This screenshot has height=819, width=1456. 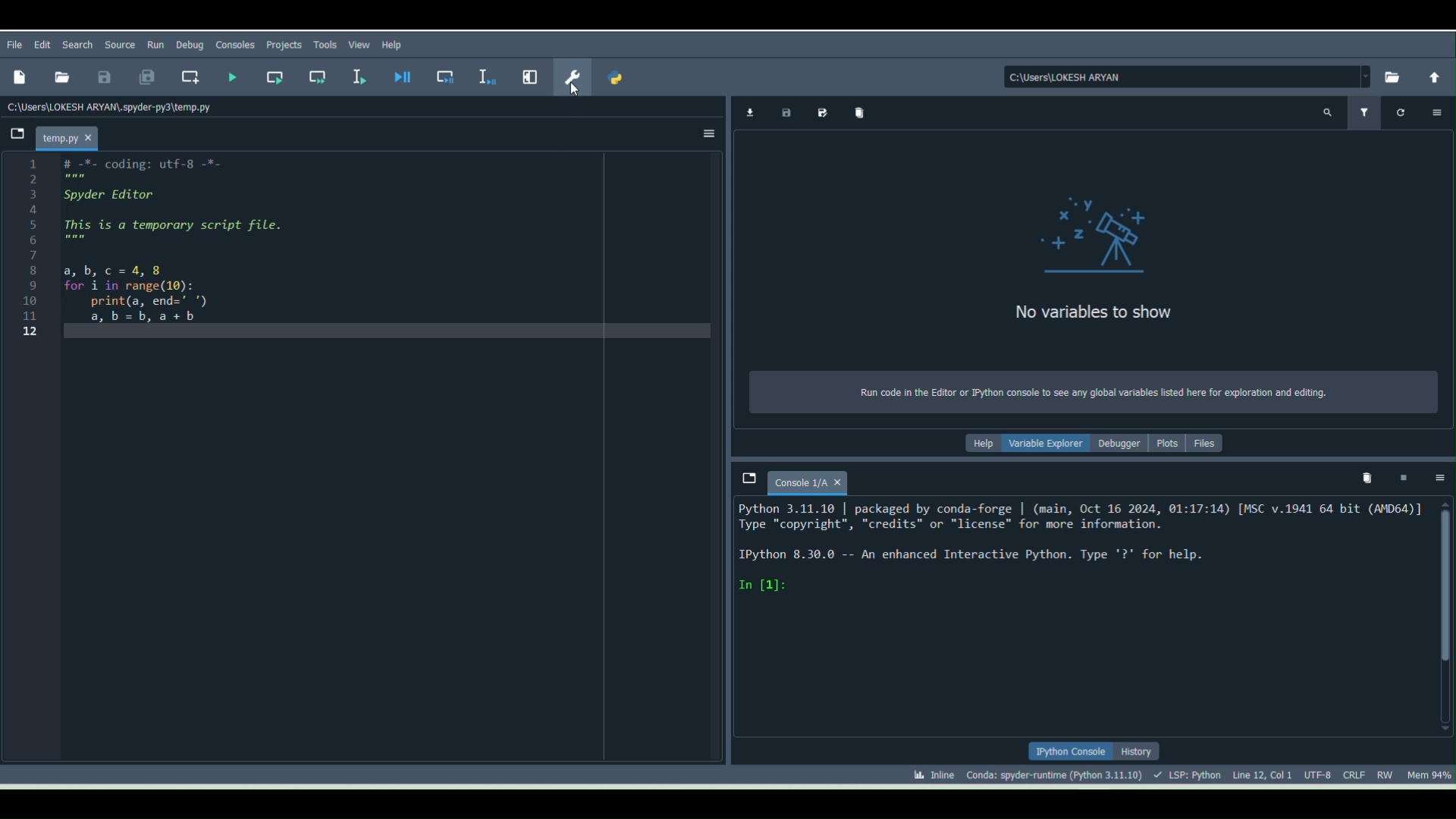 What do you see at coordinates (861, 111) in the screenshot?
I see `Remove all variables` at bounding box center [861, 111].